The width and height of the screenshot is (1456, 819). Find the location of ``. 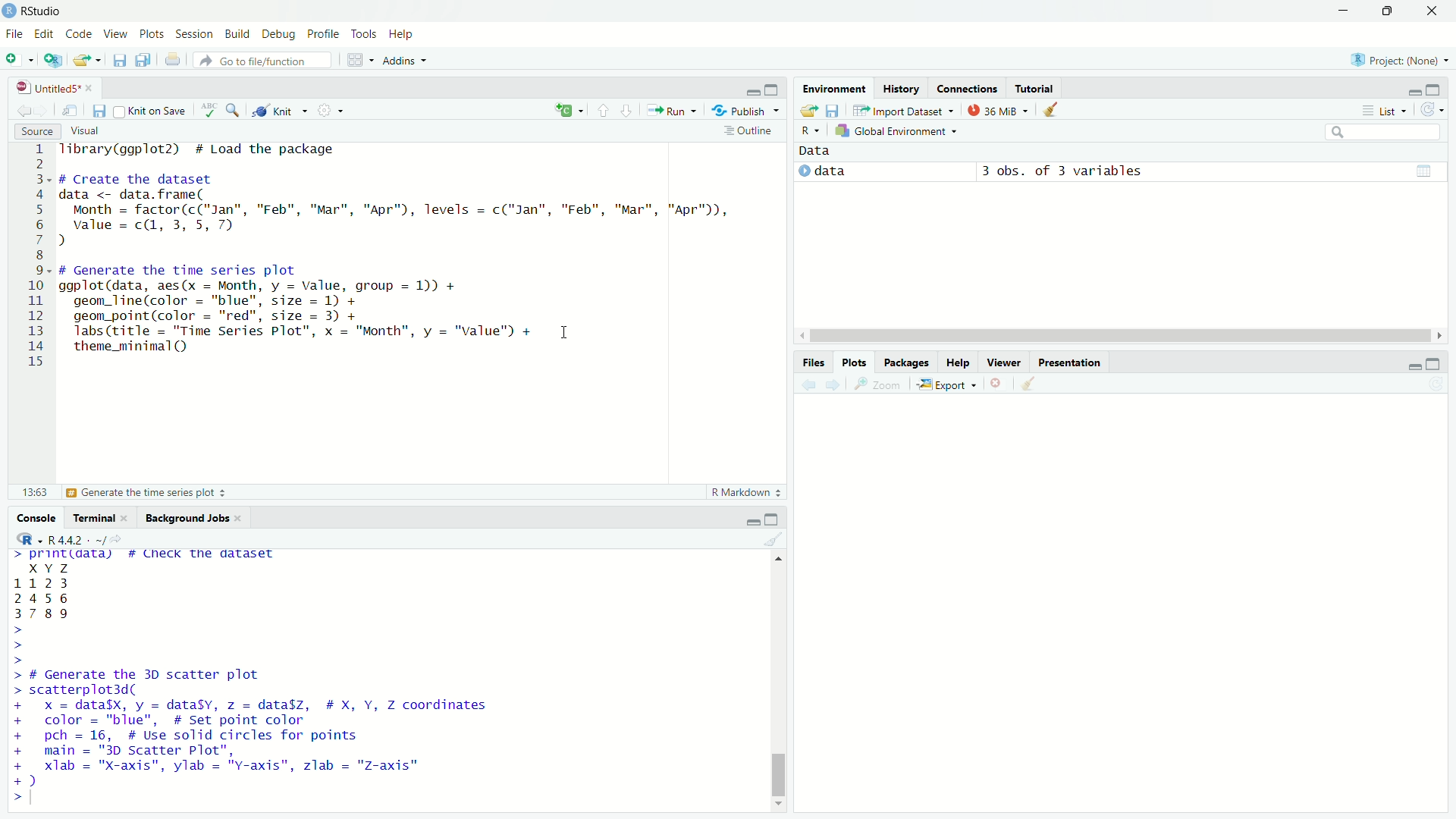

 is located at coordinates (30, 493).